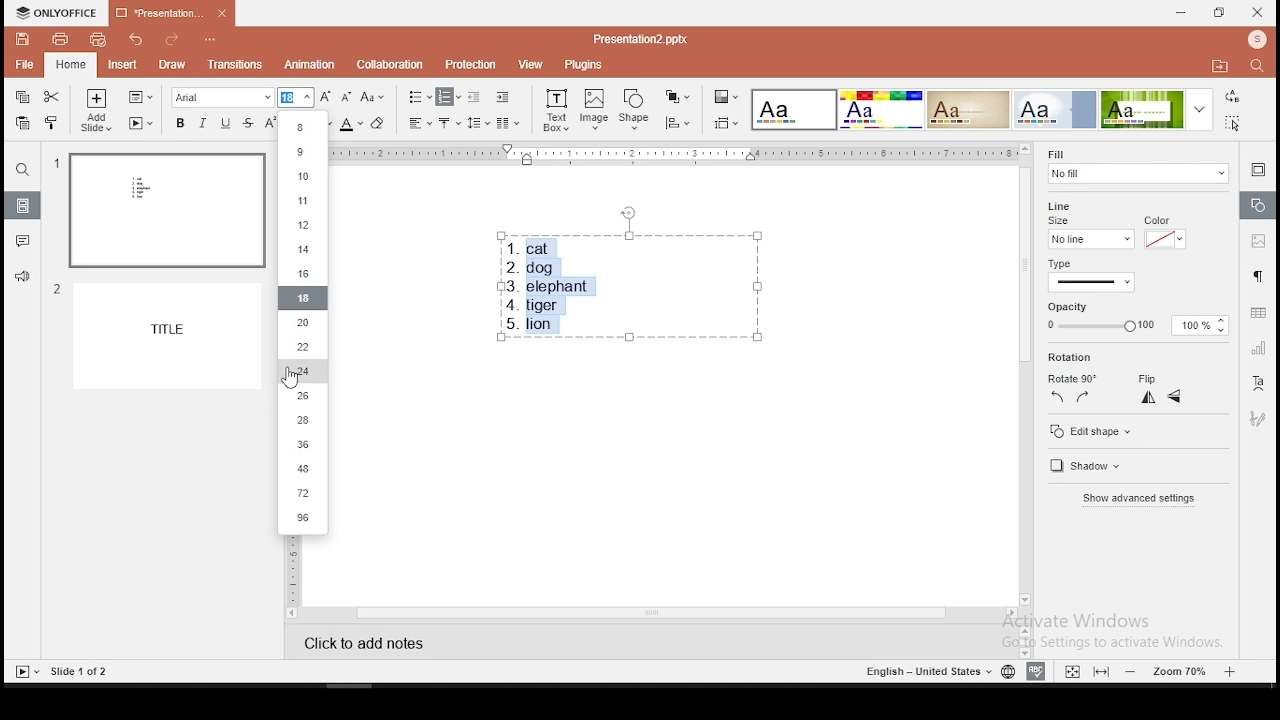  I want to click on image, so click(594, 110).